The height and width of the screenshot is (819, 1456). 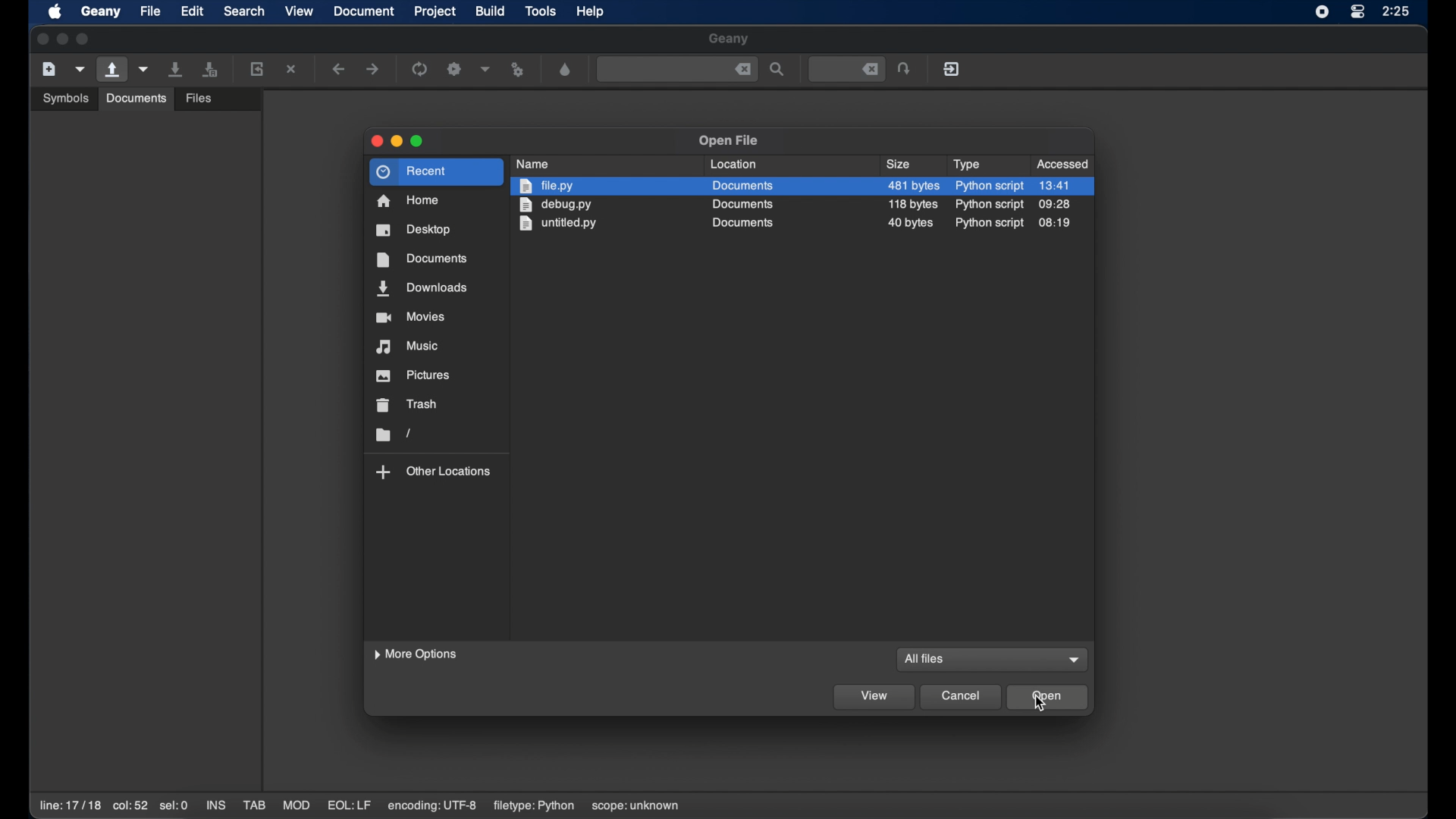 What do you see at coordinates (566, 68) in the screenshot?
I see `color looser dialog` at bounding box center [566, 68].